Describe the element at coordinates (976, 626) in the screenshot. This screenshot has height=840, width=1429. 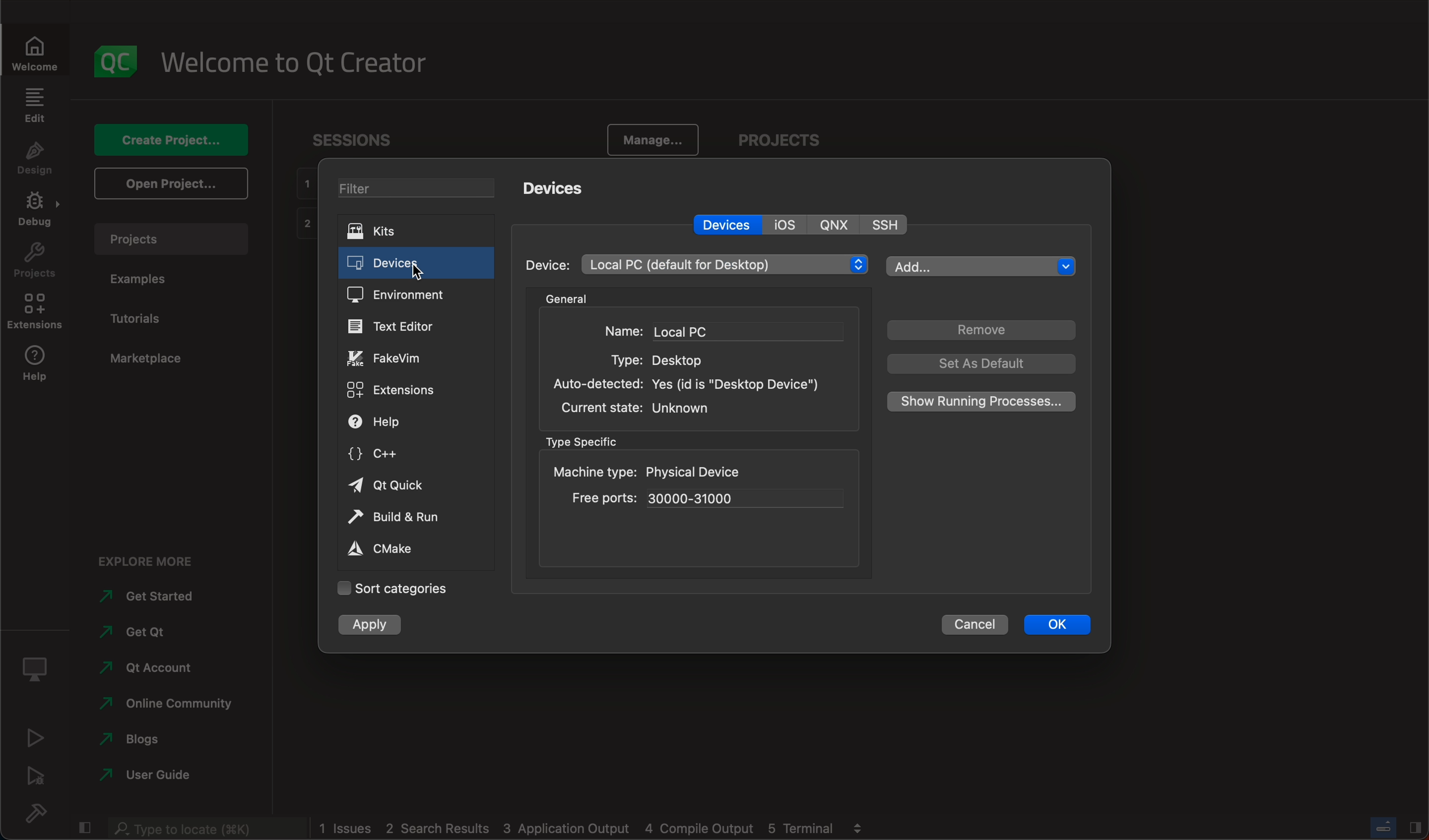
I see `cancel` at that location.